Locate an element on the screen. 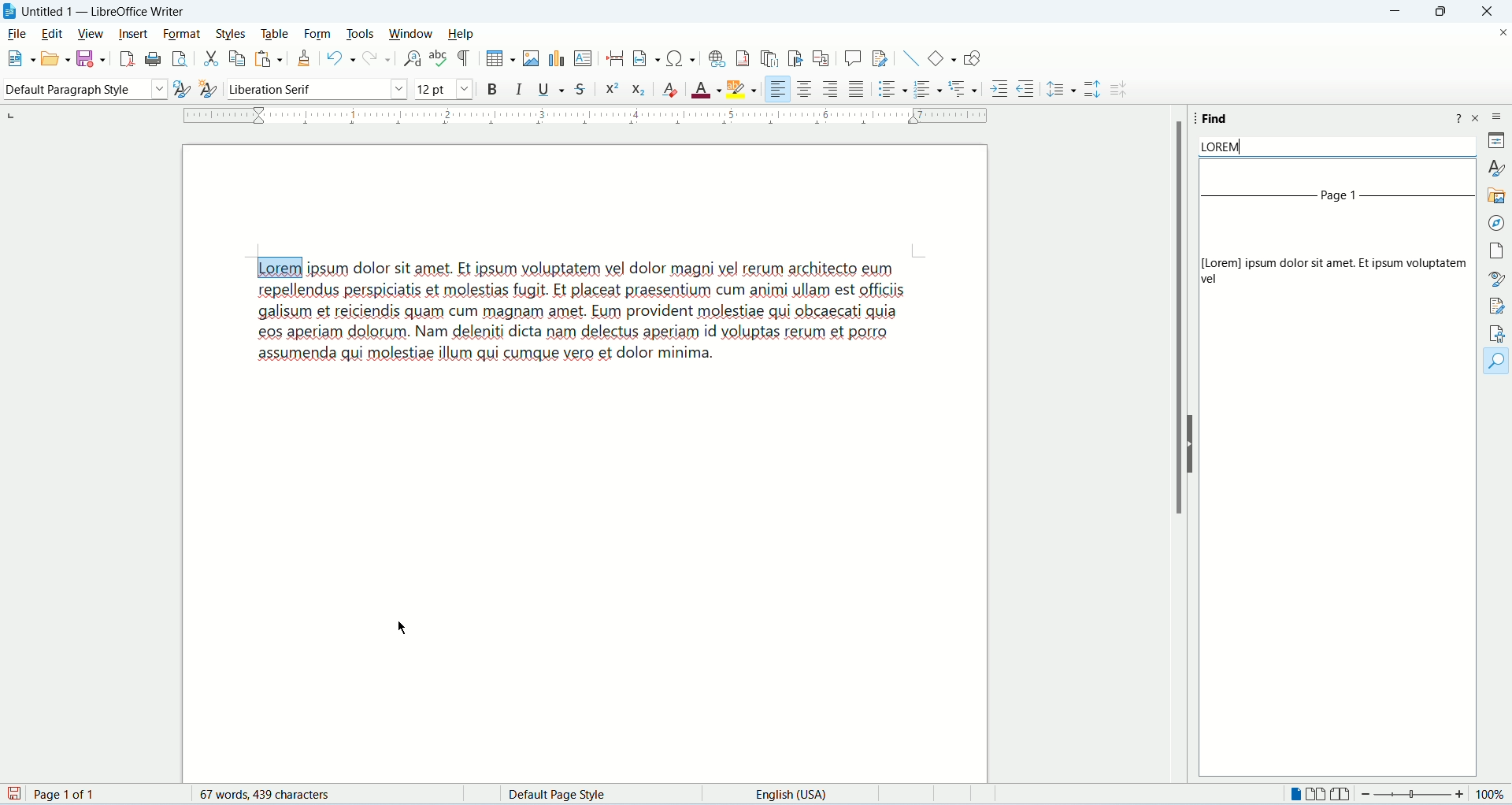 The image size is (1512, 805). insert chart is located at coordinates (556, 58).